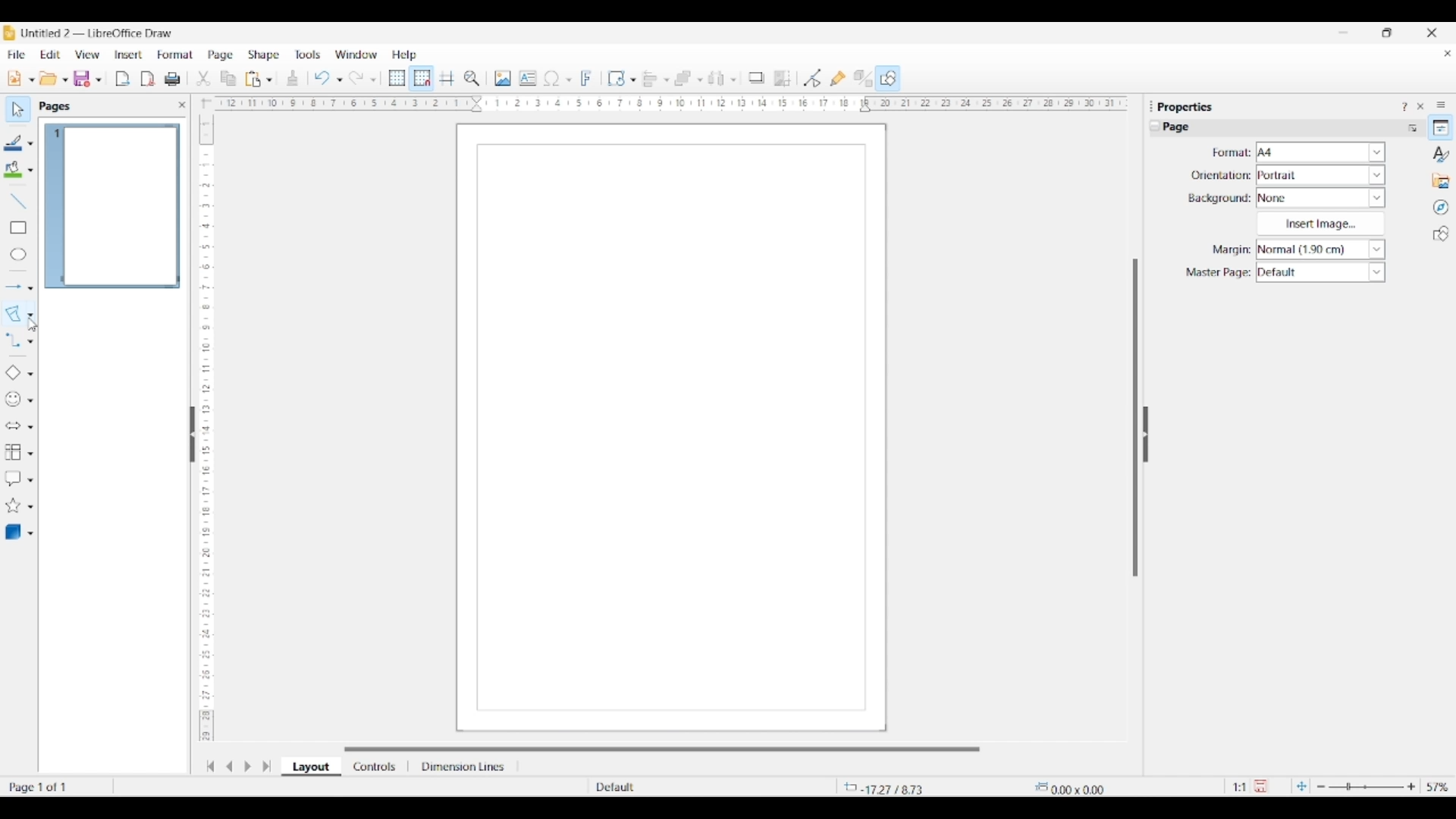 The image size is (1456, 819). Describe the element at coordinates (1135, 418) in the screenshot. I see `Vertical slide bar` at that location.